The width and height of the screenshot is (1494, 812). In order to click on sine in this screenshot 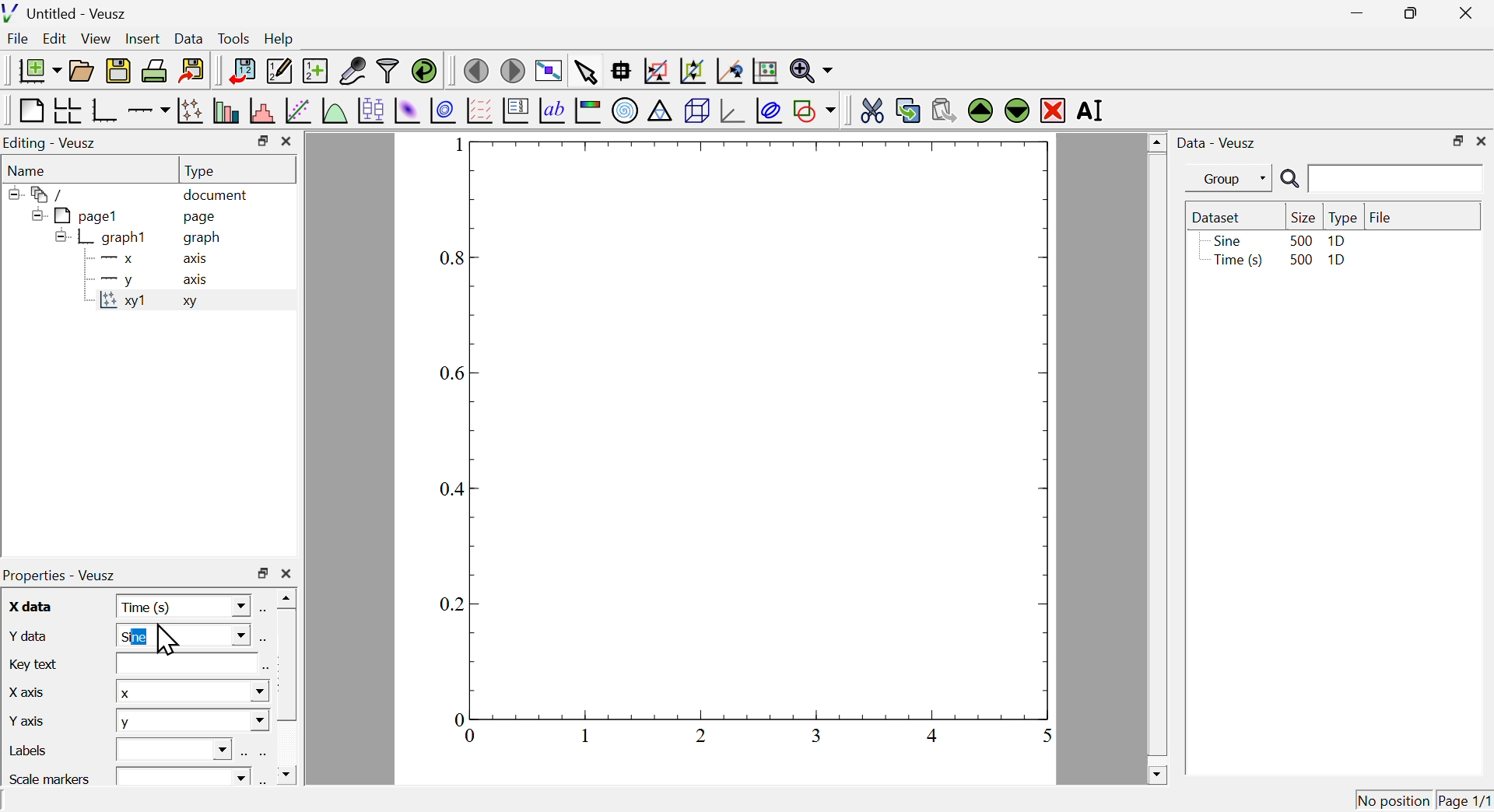, I will do `click(183, 638)`.